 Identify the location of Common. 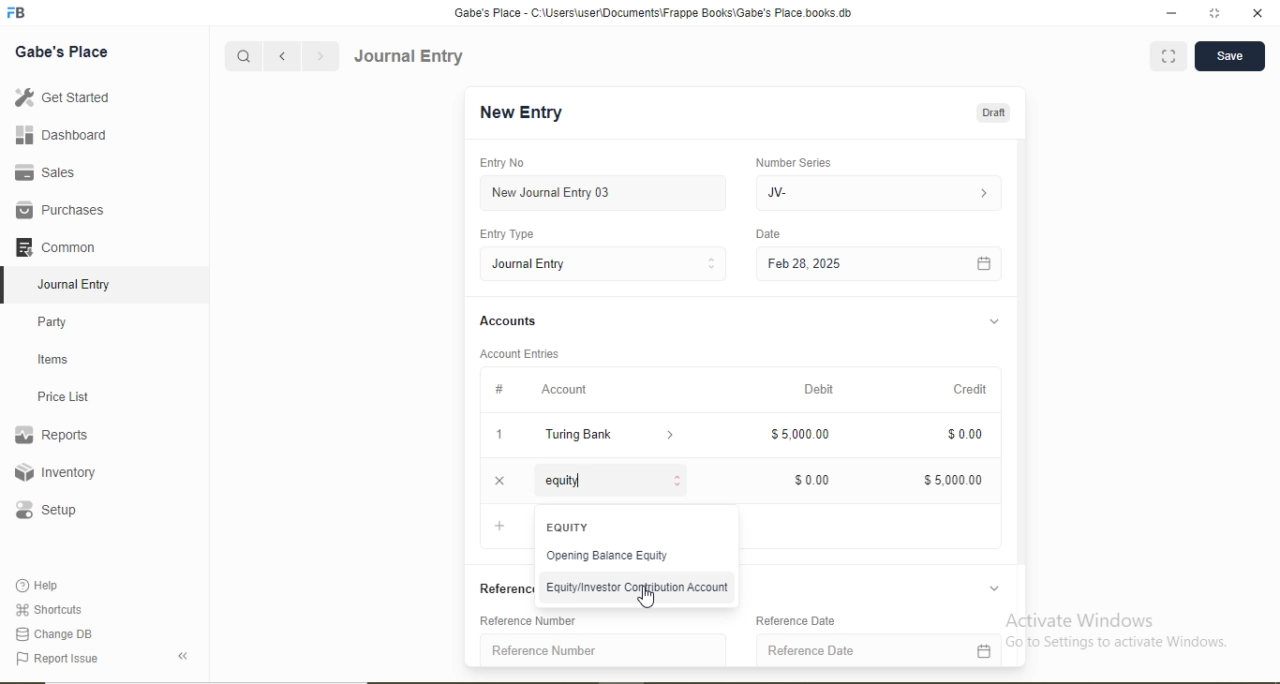
(54, 246).